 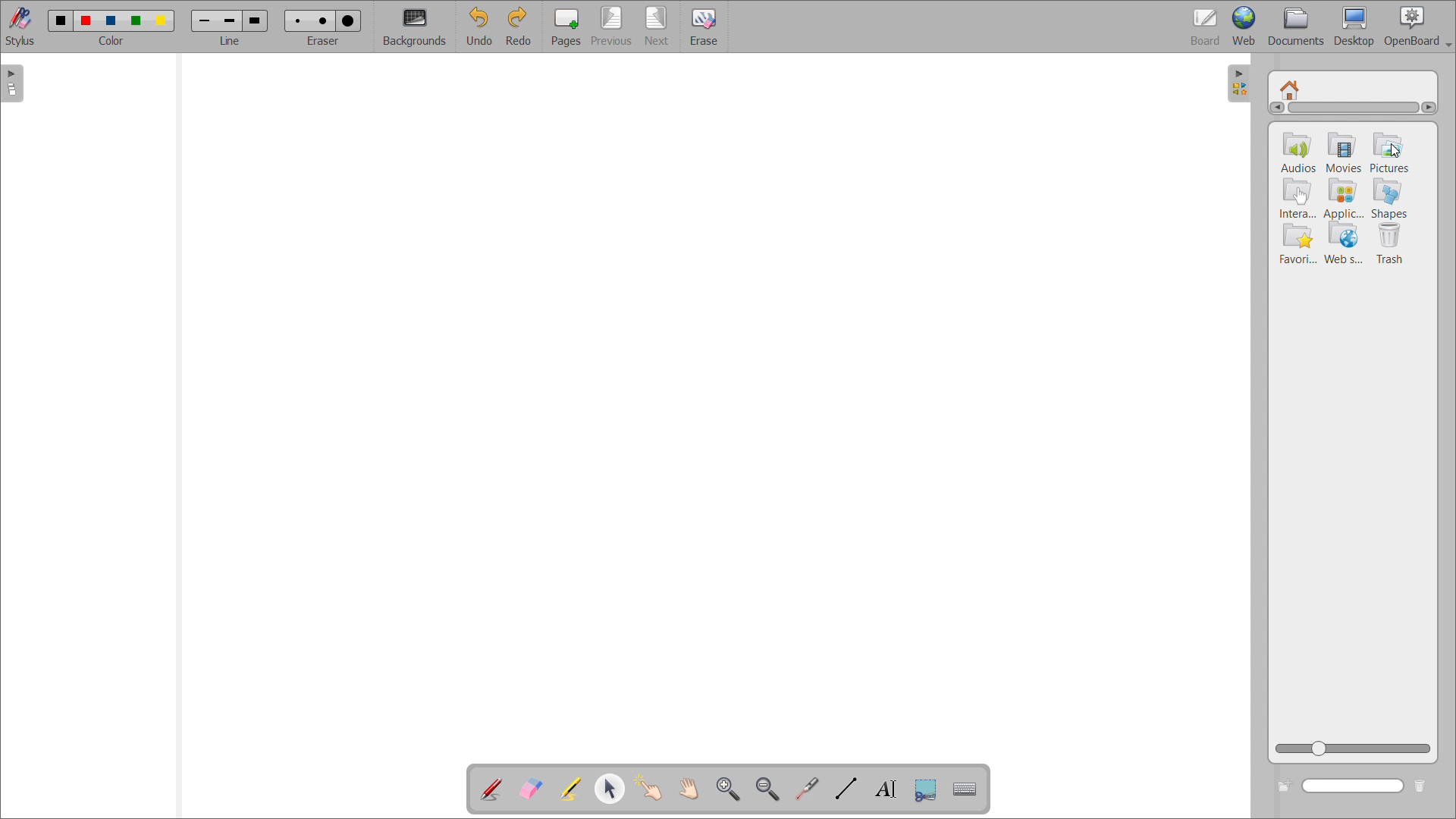 What do you see at coordinates (566, 27) in the screenshot?
I see `pages` at bounding box center [566, 27].